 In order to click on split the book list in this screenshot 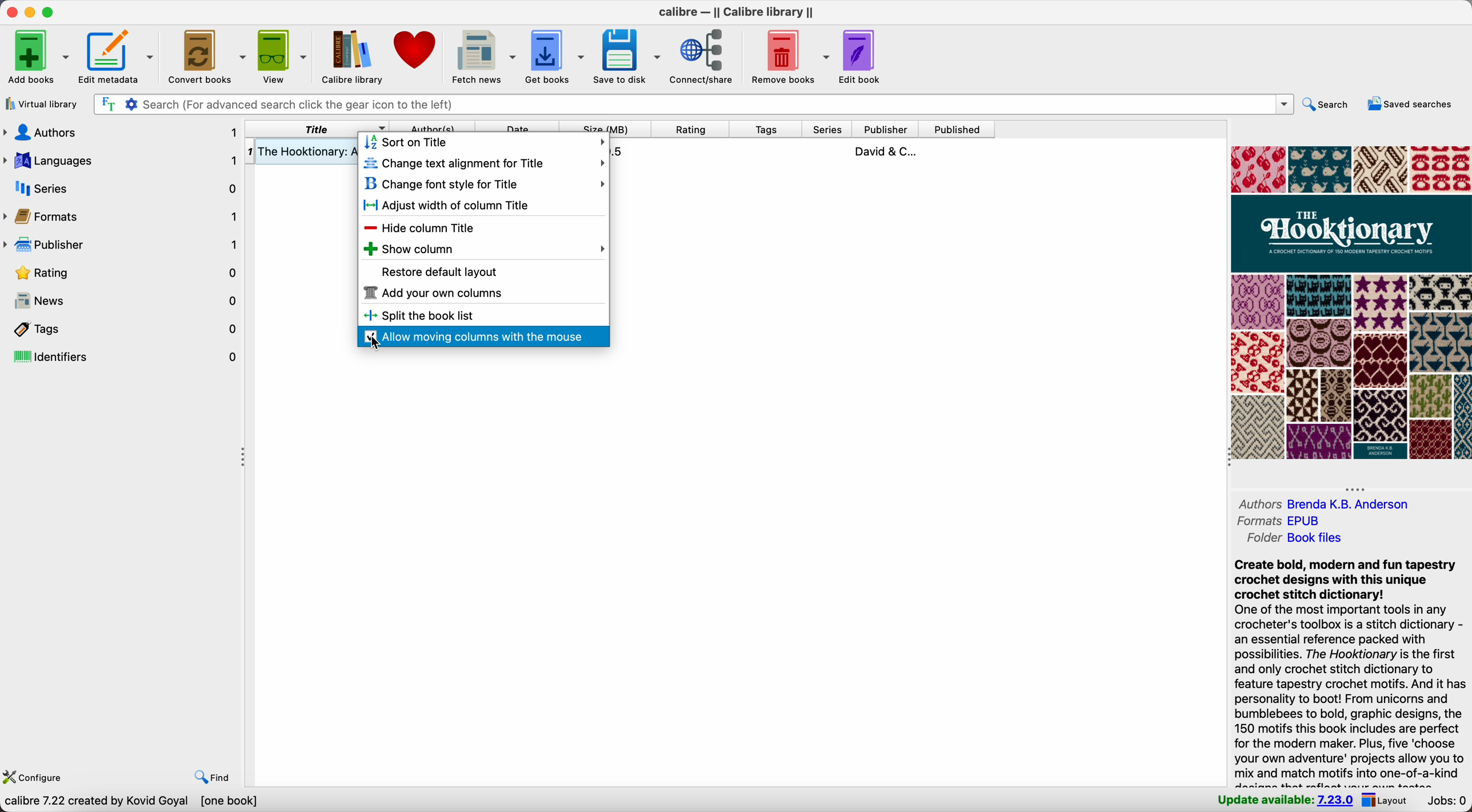, I will do `click(423, 315)`.